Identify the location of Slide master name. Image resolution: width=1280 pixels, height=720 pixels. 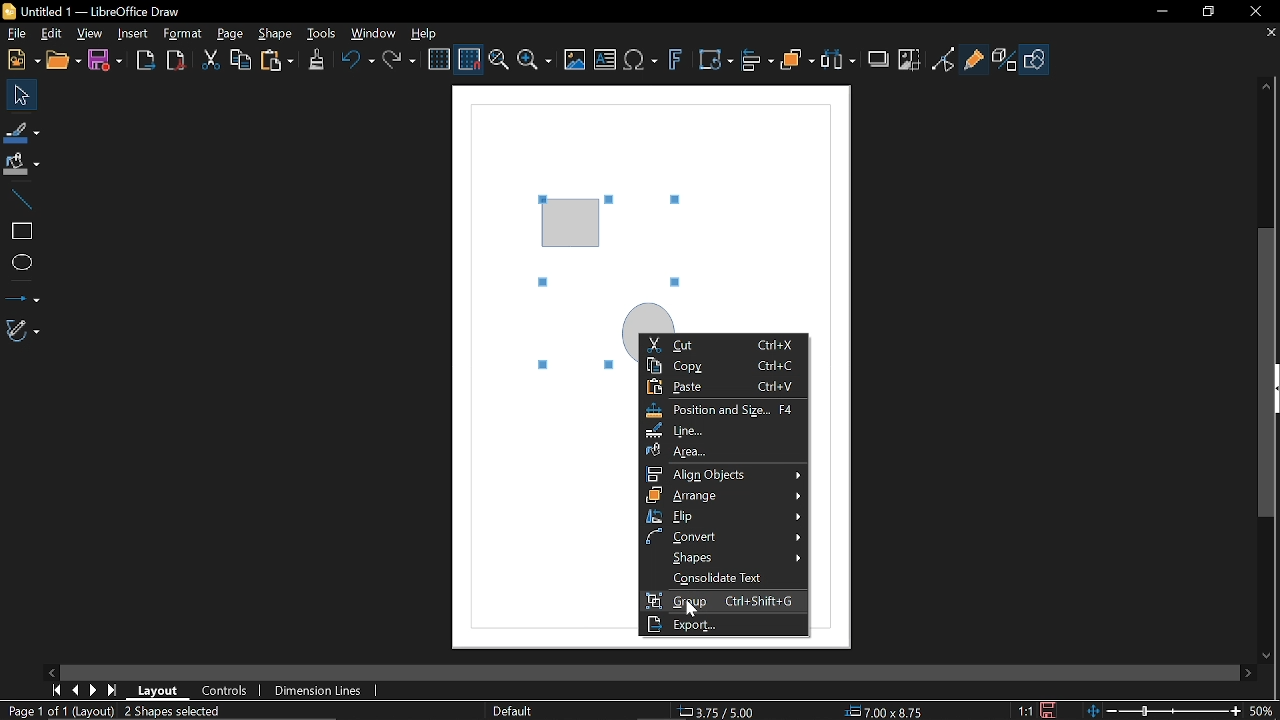
(517, 712).